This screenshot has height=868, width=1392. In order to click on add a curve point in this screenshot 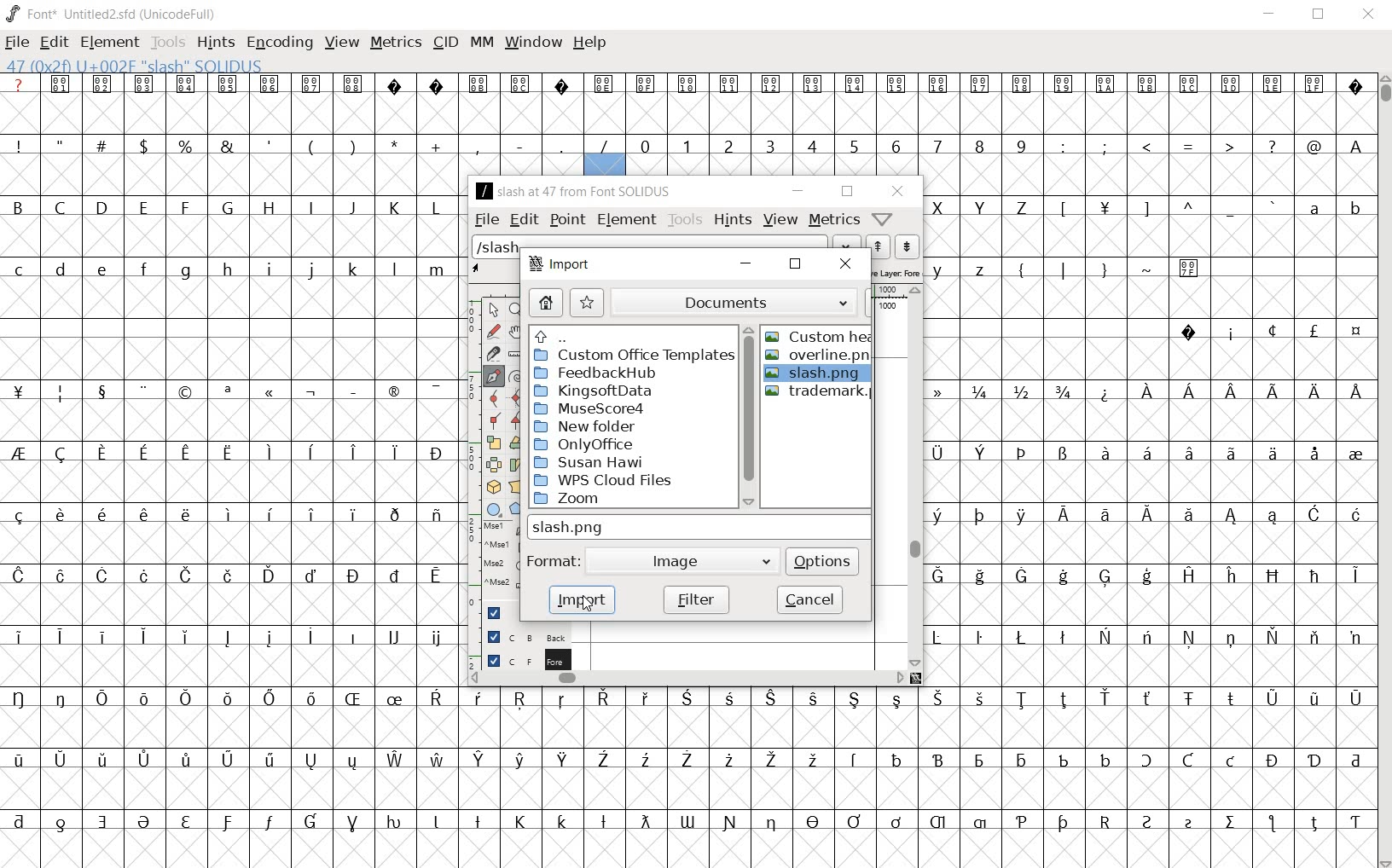, I will do `click(494, 399)`.